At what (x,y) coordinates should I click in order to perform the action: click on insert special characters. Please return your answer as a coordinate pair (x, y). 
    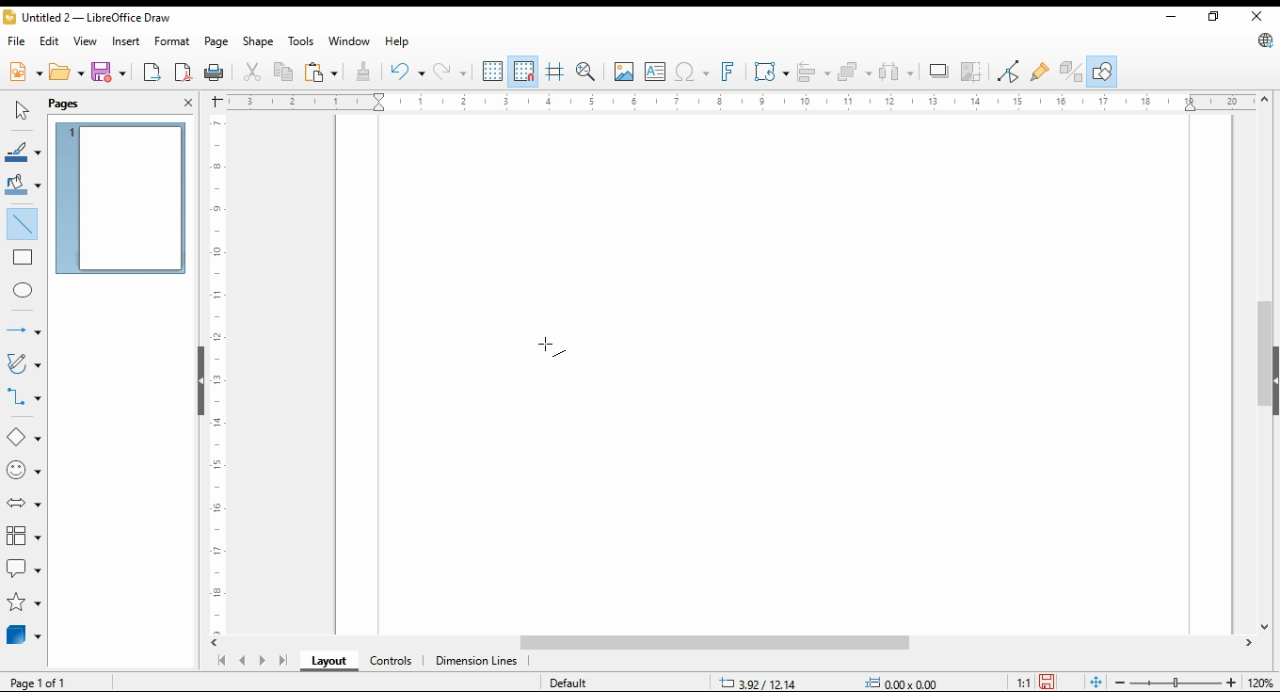
    Looking at the image, I should click on (690, 72).